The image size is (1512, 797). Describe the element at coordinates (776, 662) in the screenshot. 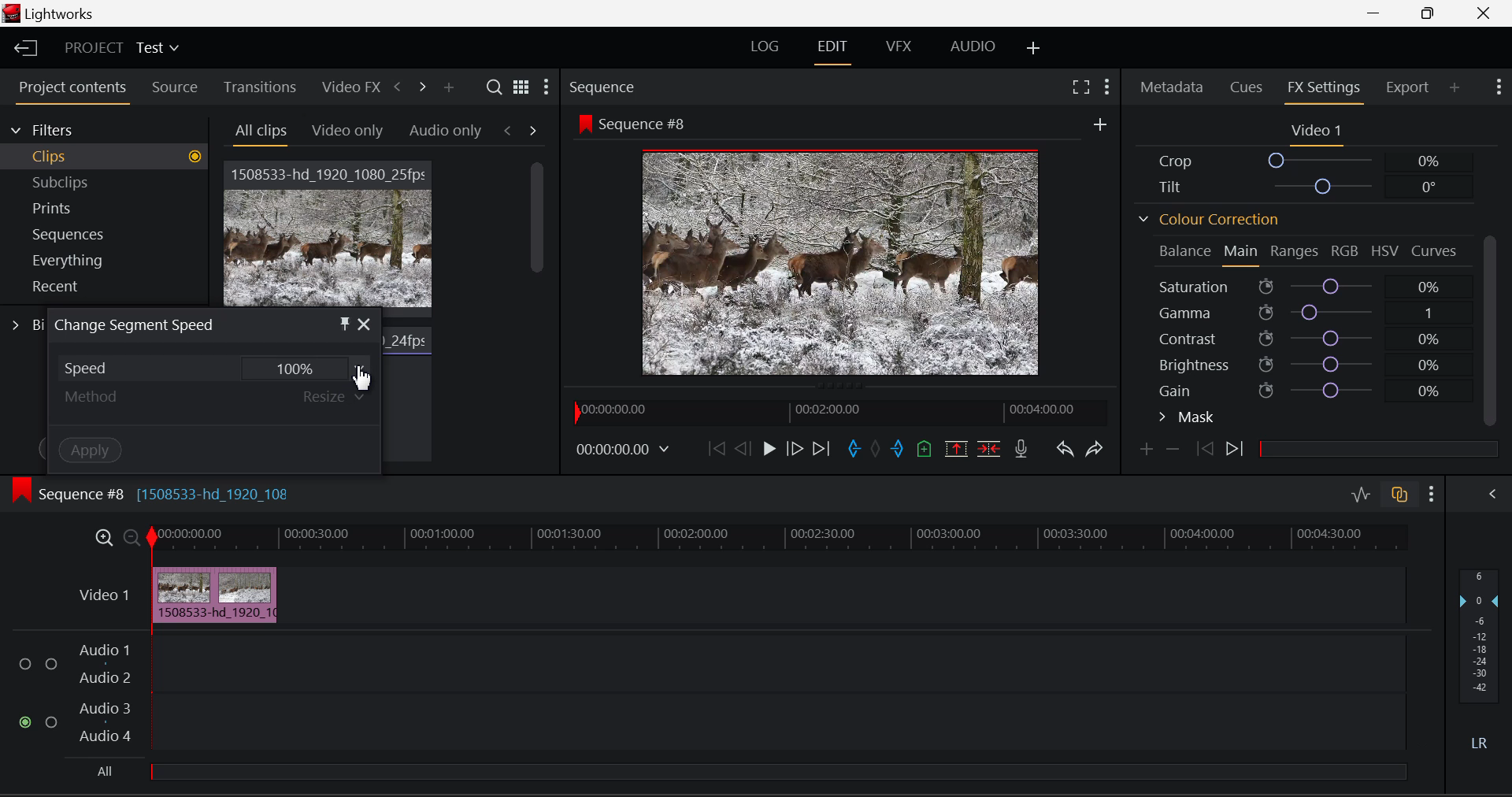

I see `Audio Input Field` at that location.